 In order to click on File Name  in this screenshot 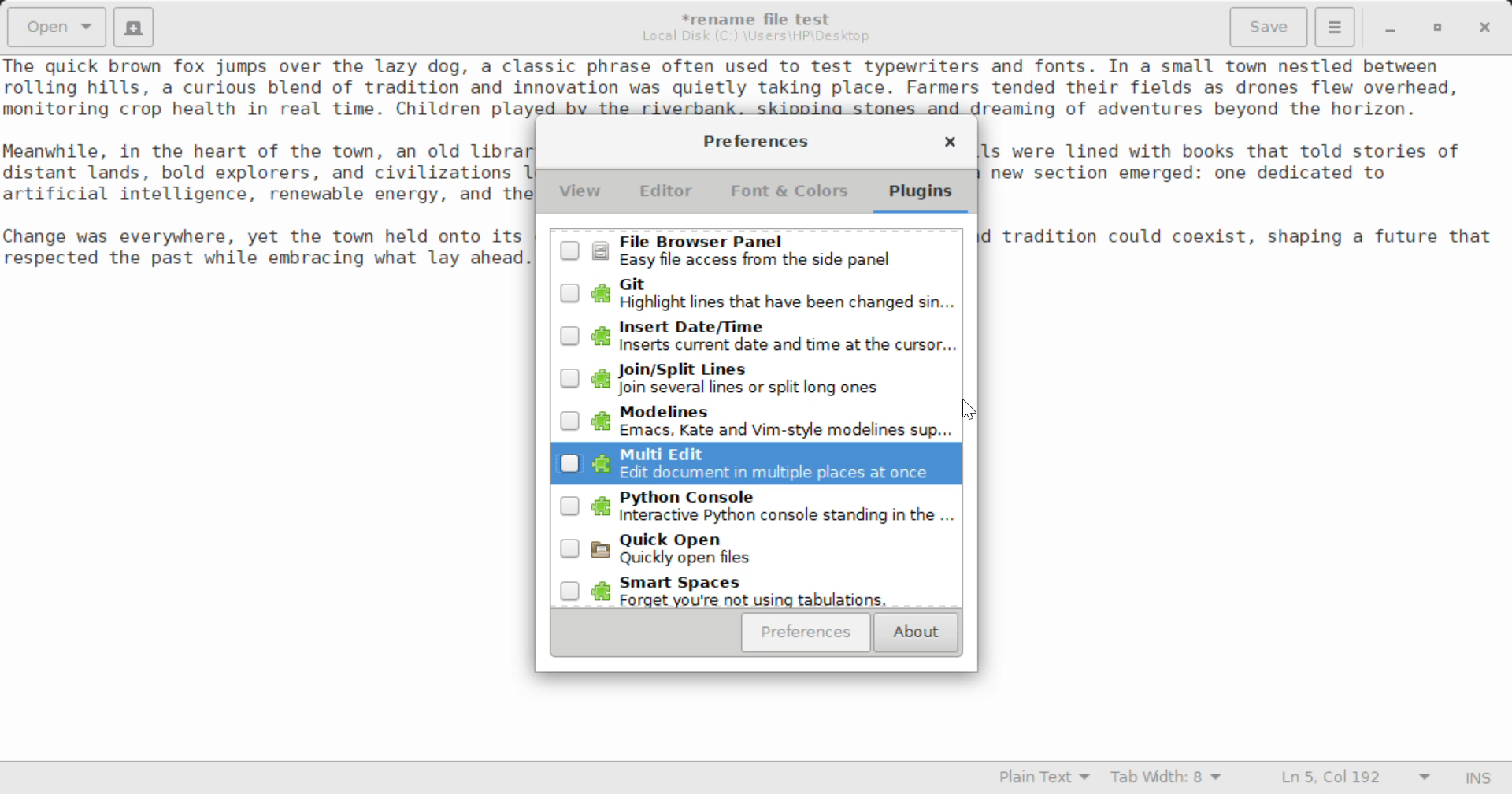, I will do `click(761, 17)`.